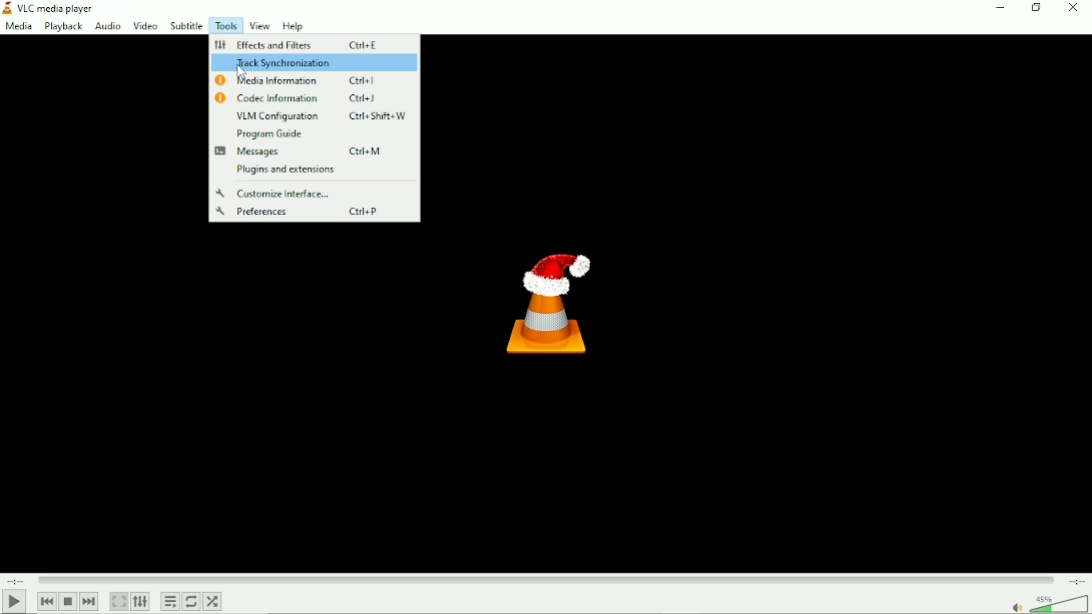 The image size is (1092, 614). I want to click on Customize interface, so click(281, 192).